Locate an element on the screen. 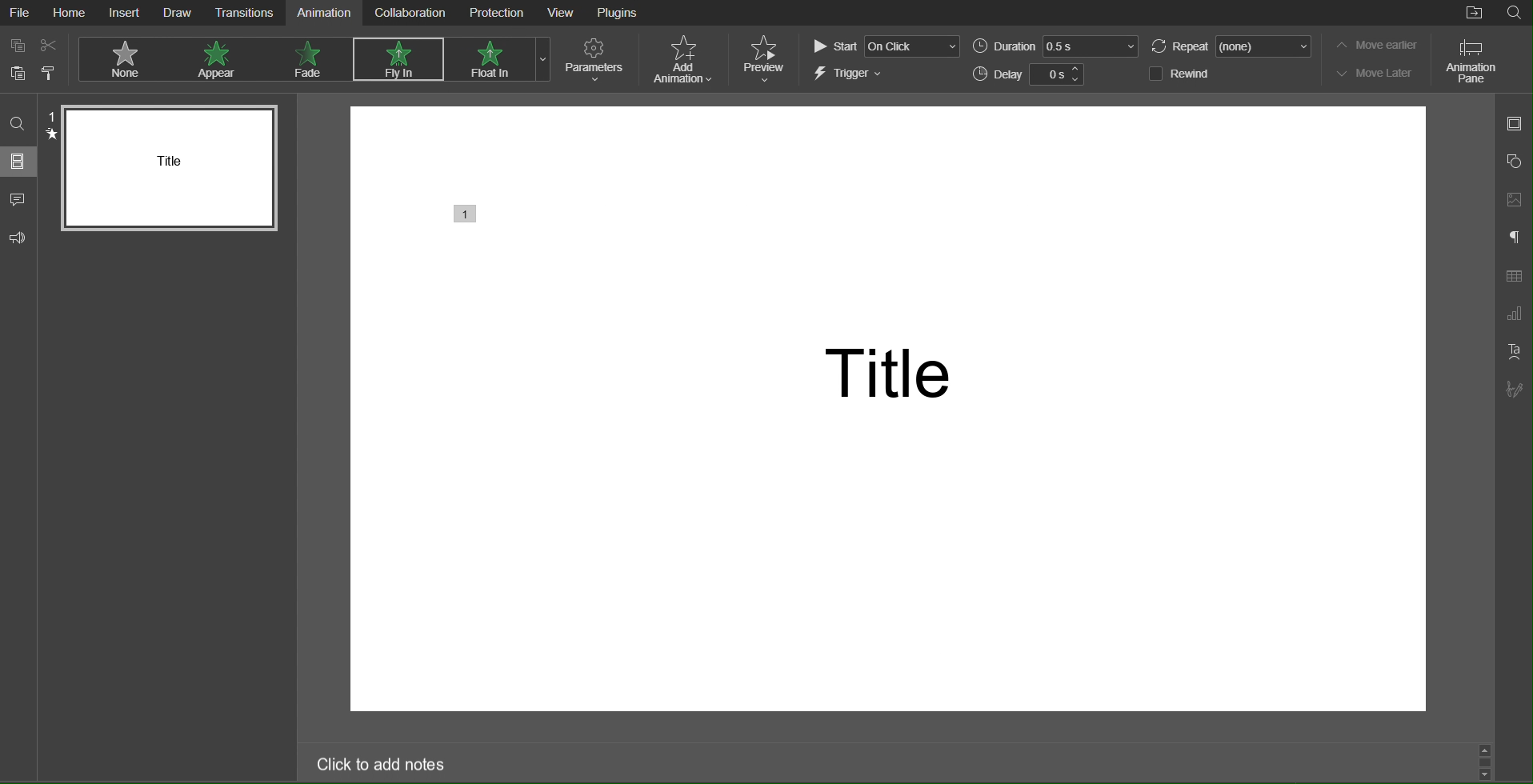  Move Later is located at coordinates (1375, 72).